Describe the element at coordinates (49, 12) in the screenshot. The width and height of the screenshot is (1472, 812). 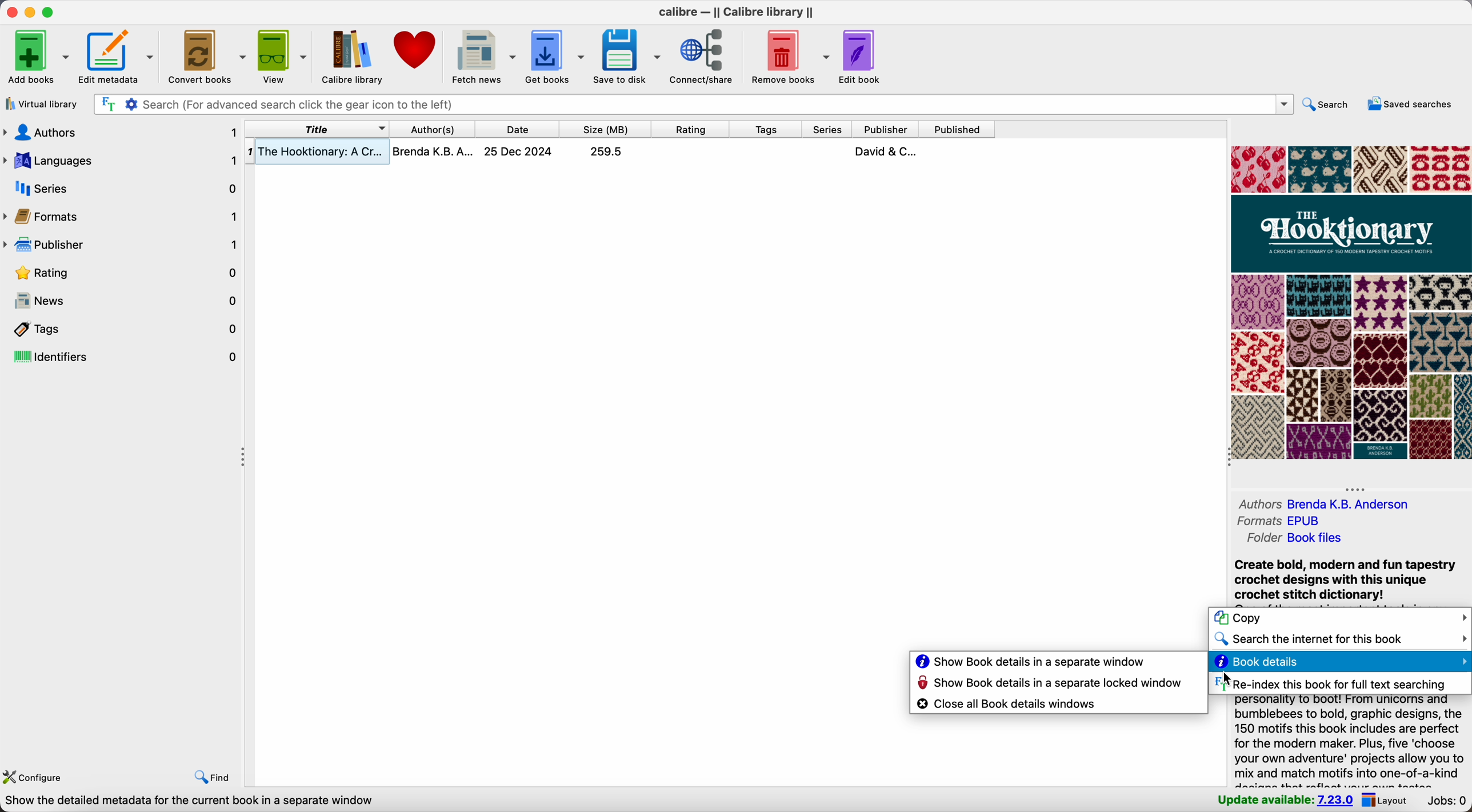
I see `maximize` at that location.